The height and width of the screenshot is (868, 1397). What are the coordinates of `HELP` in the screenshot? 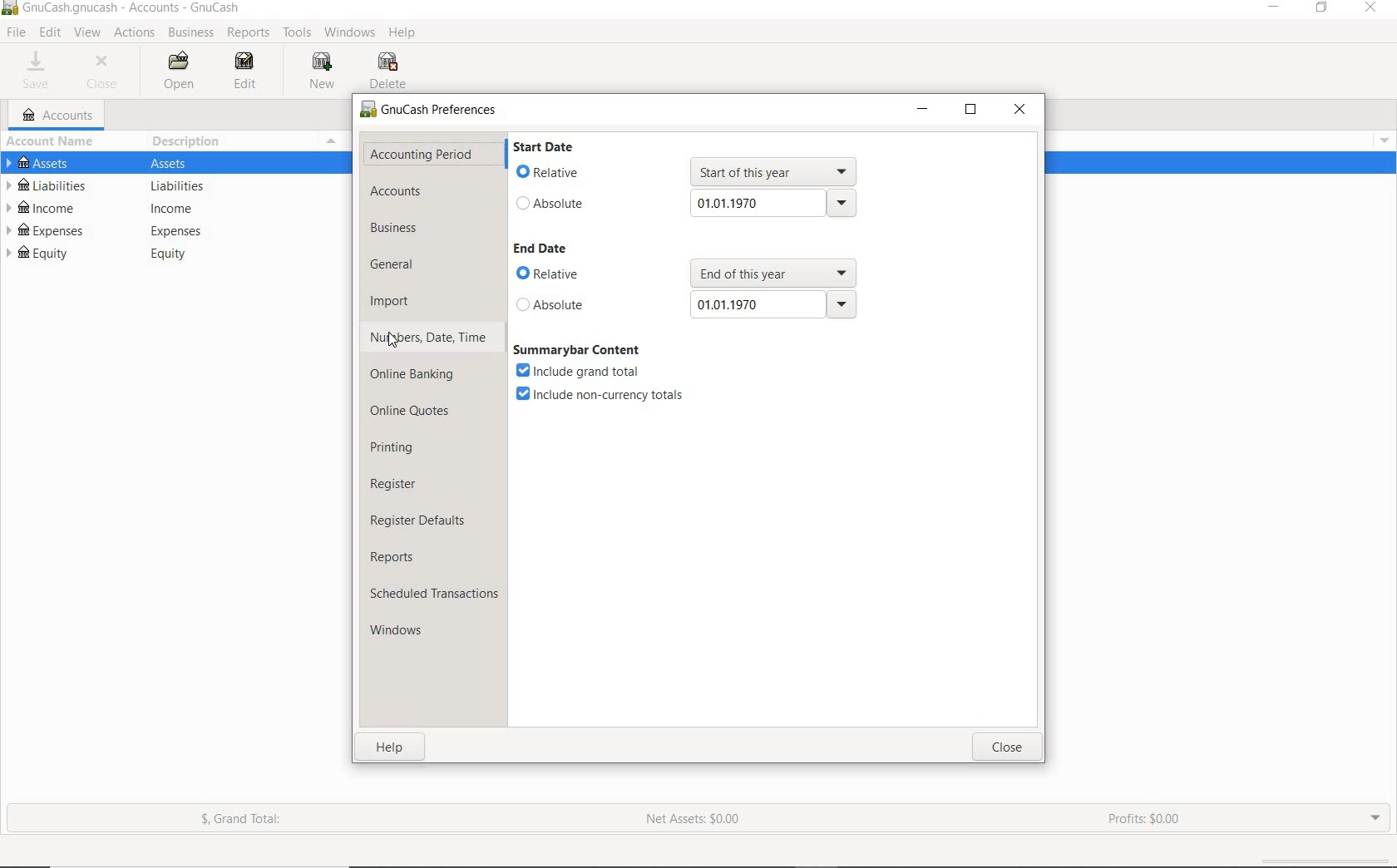 It's located at (406, 35).